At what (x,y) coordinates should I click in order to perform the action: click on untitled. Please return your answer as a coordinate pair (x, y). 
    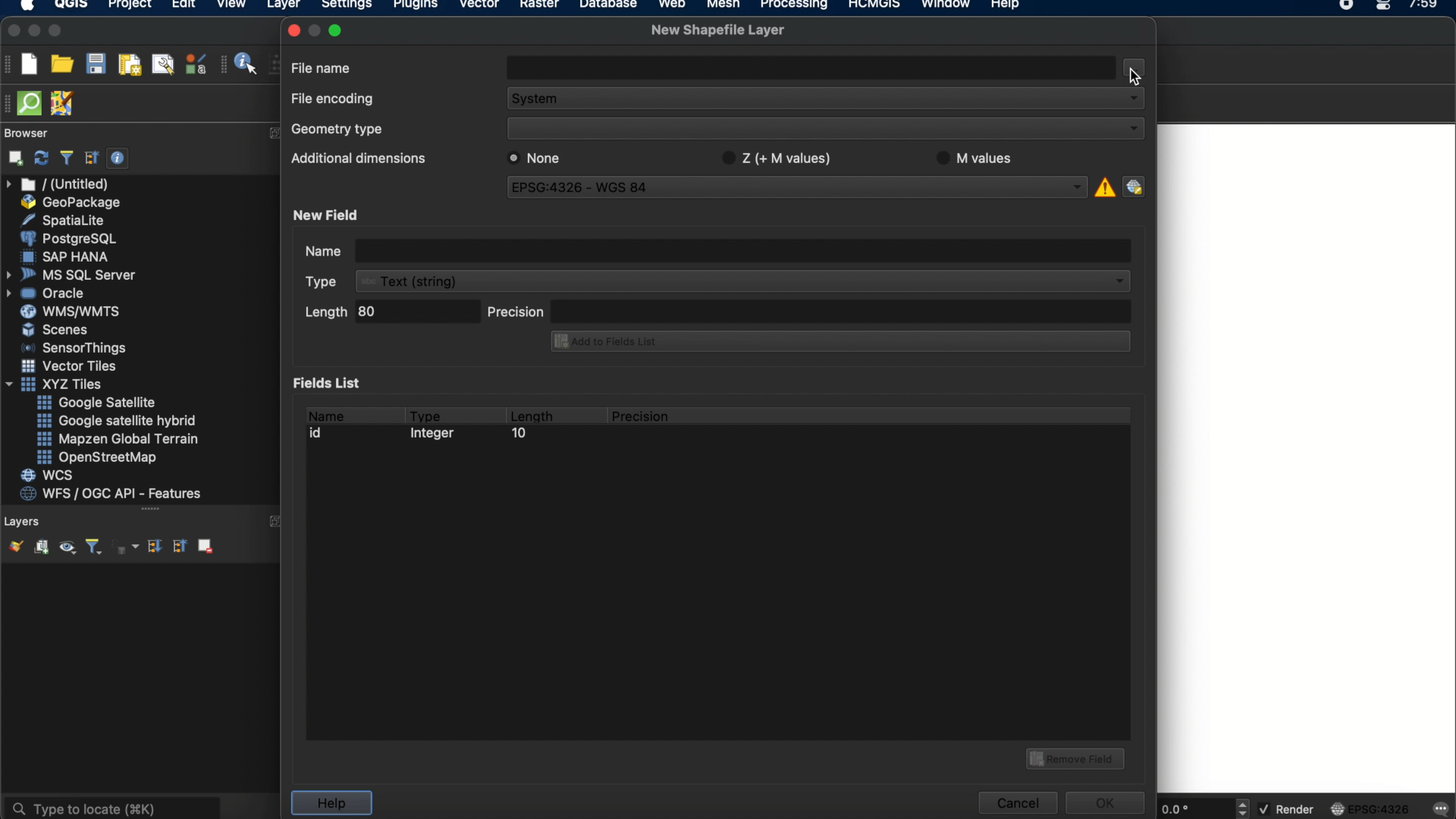
    Looking at the image, I should click on (59, 184).